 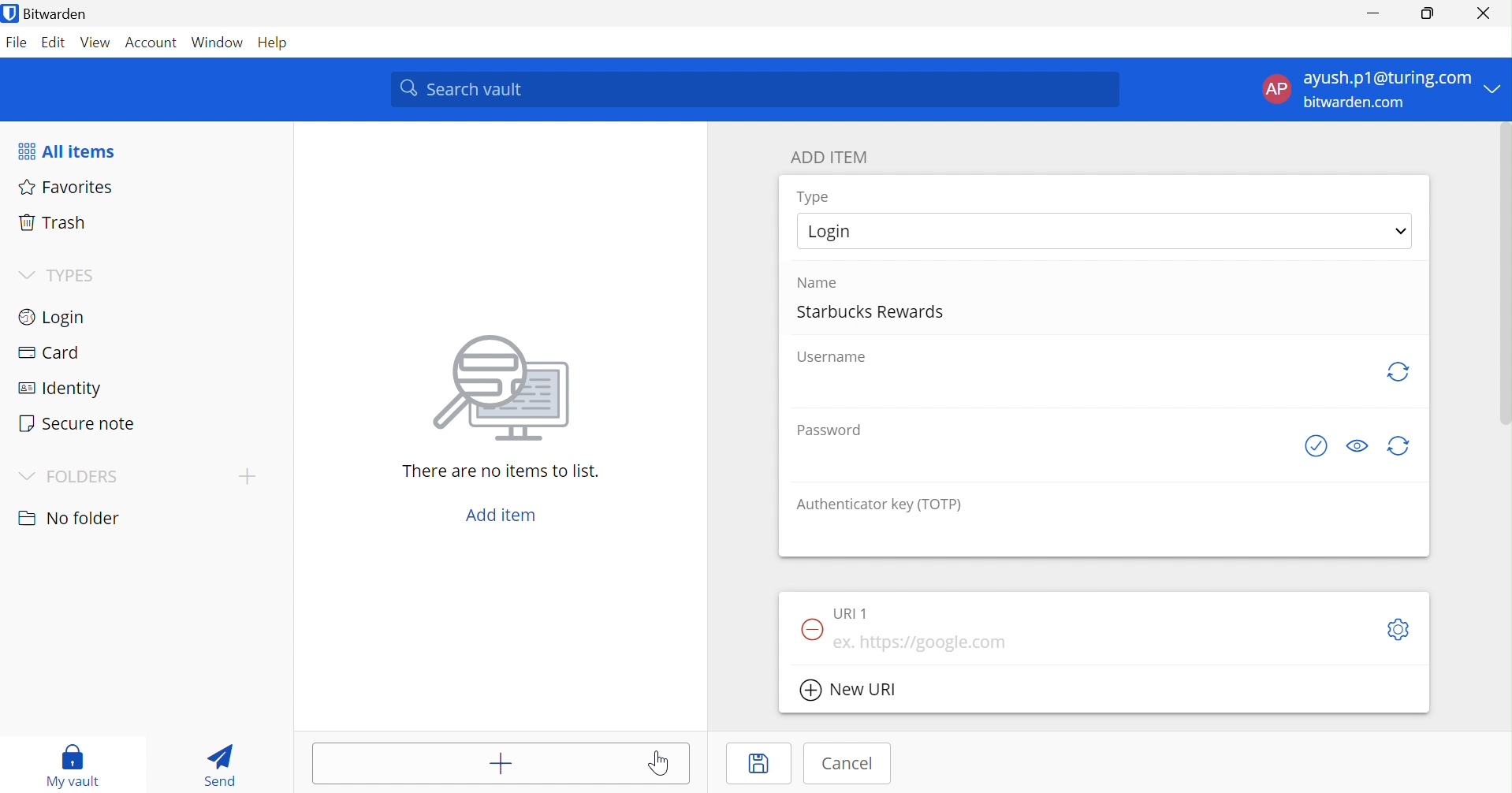 What do you see at coordinates (67, 188) in the screenshot?
I see `Favorites` at bounding box center [67, 188].